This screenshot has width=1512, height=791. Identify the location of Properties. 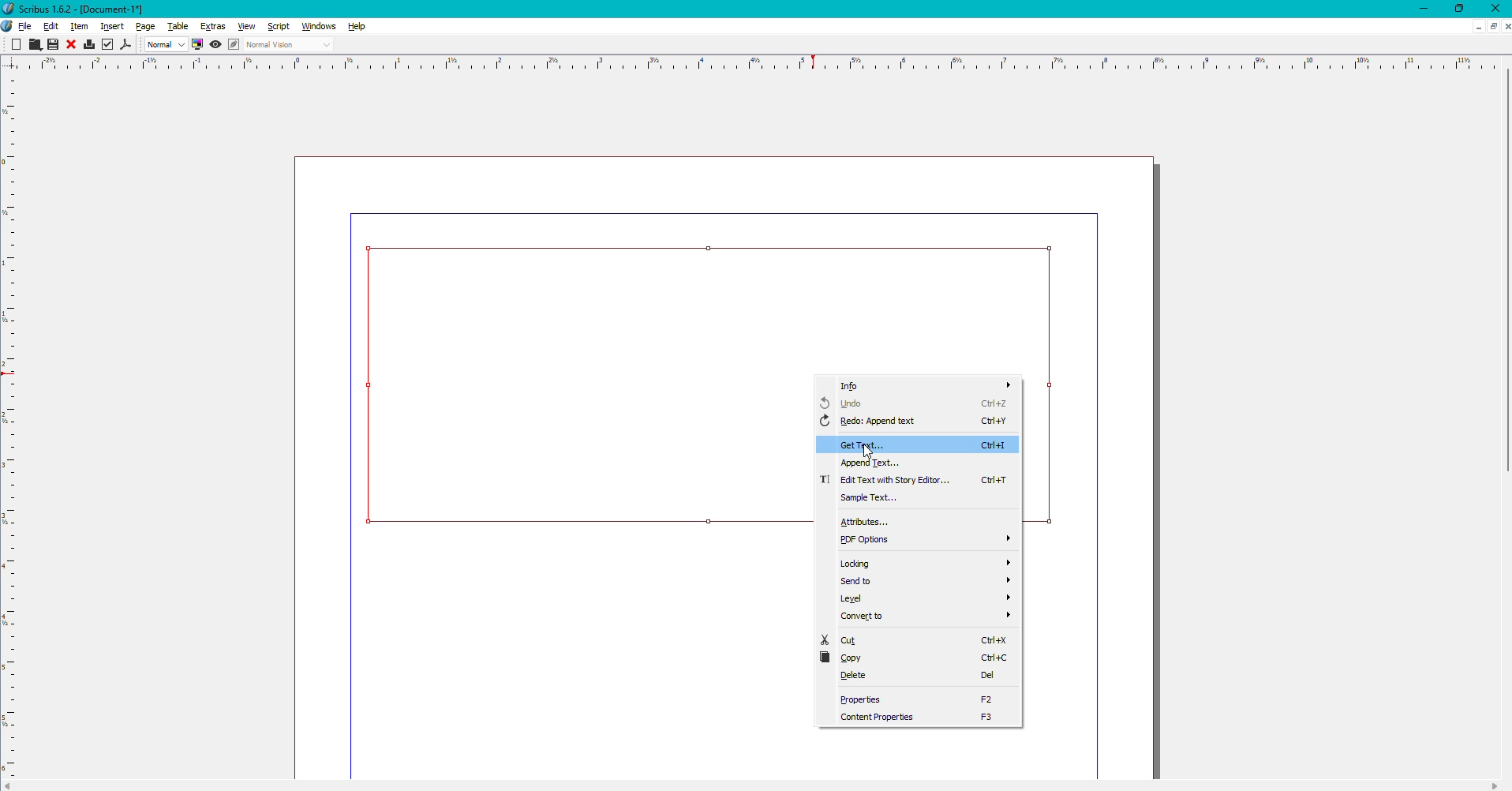
(918, 699).